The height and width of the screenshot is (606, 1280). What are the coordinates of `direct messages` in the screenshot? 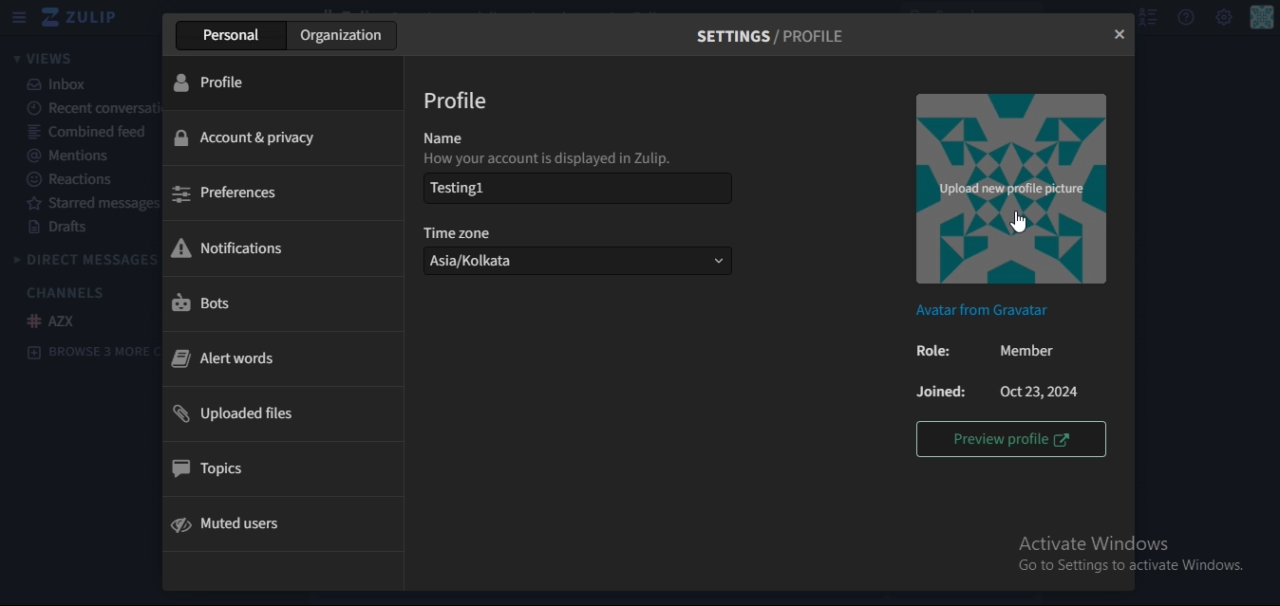 It's located at (86, 256).